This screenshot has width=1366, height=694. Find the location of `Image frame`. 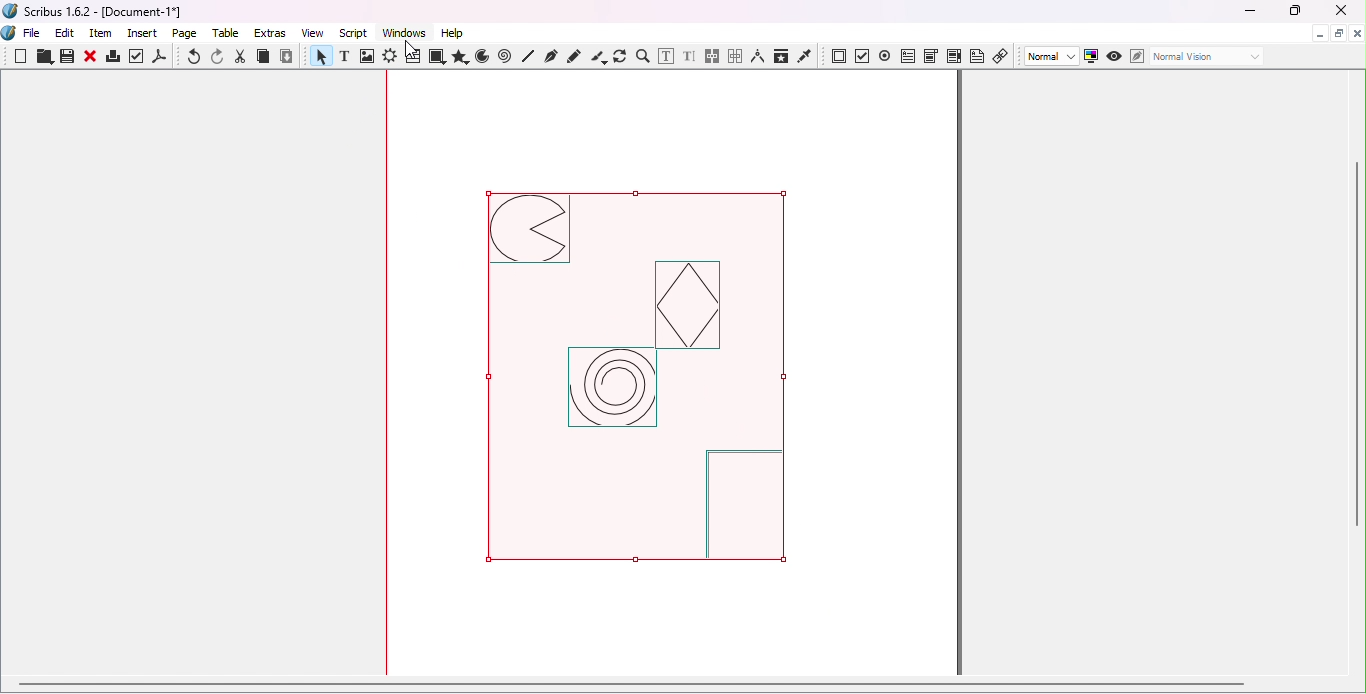

Image frame is located at coordinates (369, 58).